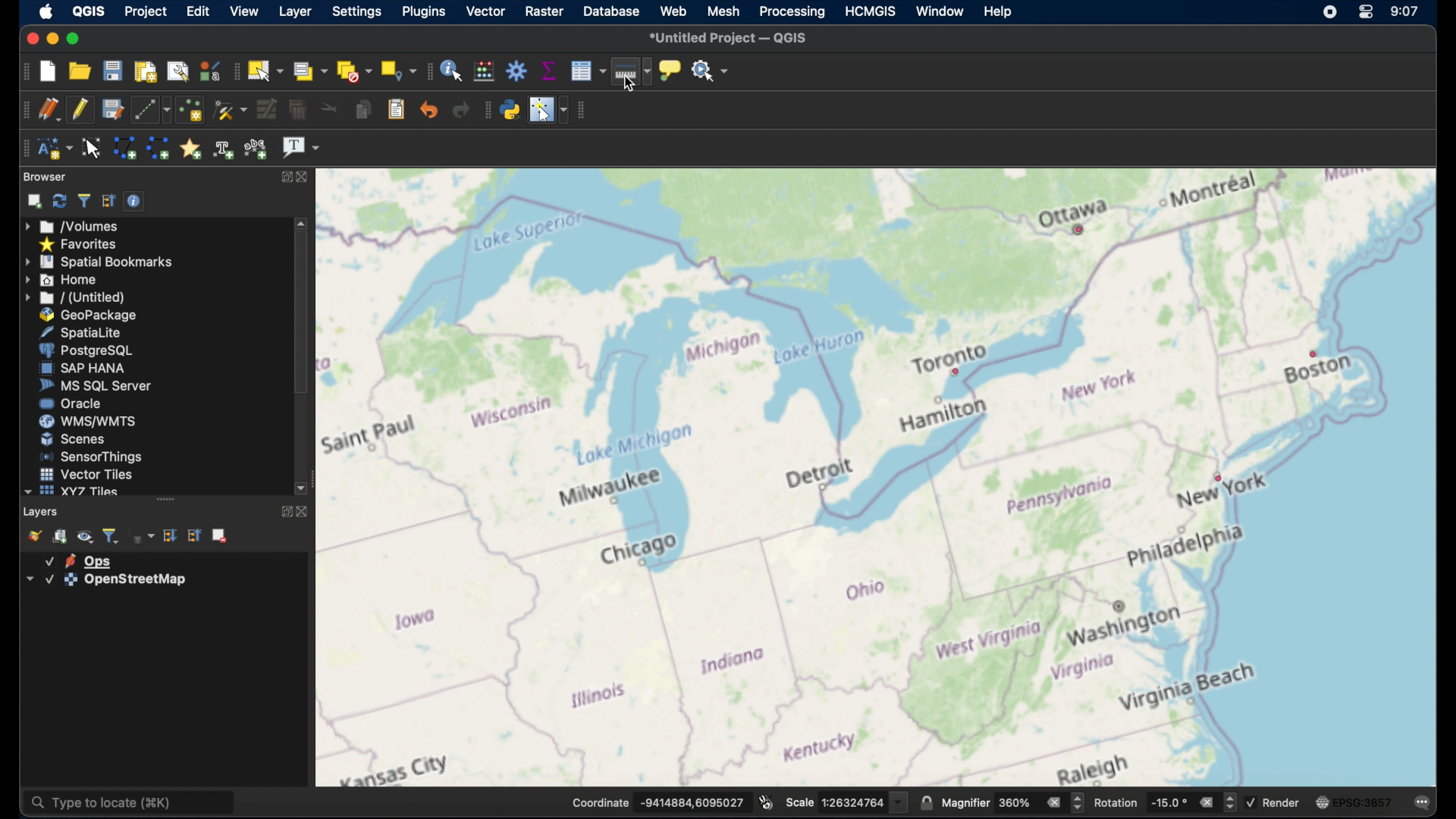 The height and width of the screenshot is (819, 1456). Describe the element at coordinates (461, 110) in the screenshot. I see `redo` at that location.